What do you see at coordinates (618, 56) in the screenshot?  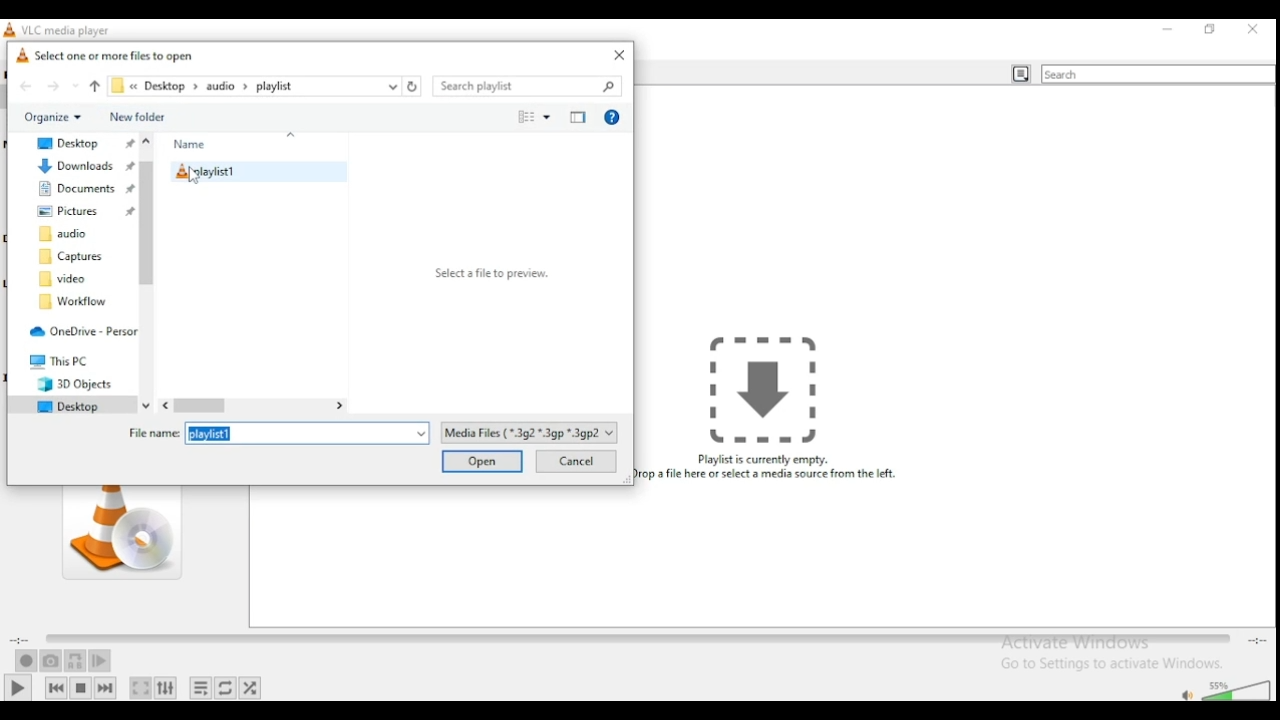 I see `close window` at bounding box center [618, 56].